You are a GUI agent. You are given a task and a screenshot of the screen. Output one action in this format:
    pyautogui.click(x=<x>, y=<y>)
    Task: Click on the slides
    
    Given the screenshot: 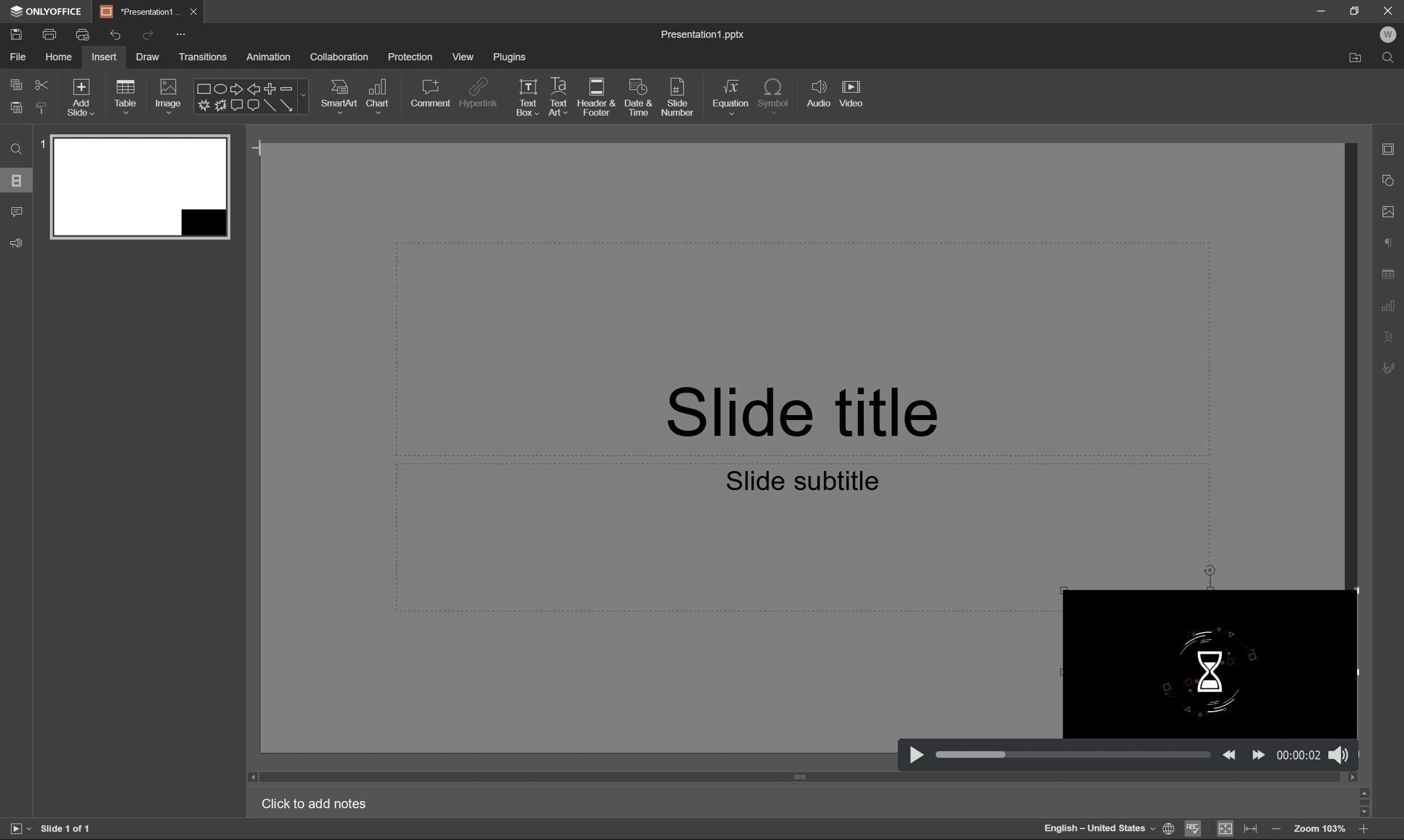 What is the action you would take?
    pyautogui.click(x=17, y=182)
    